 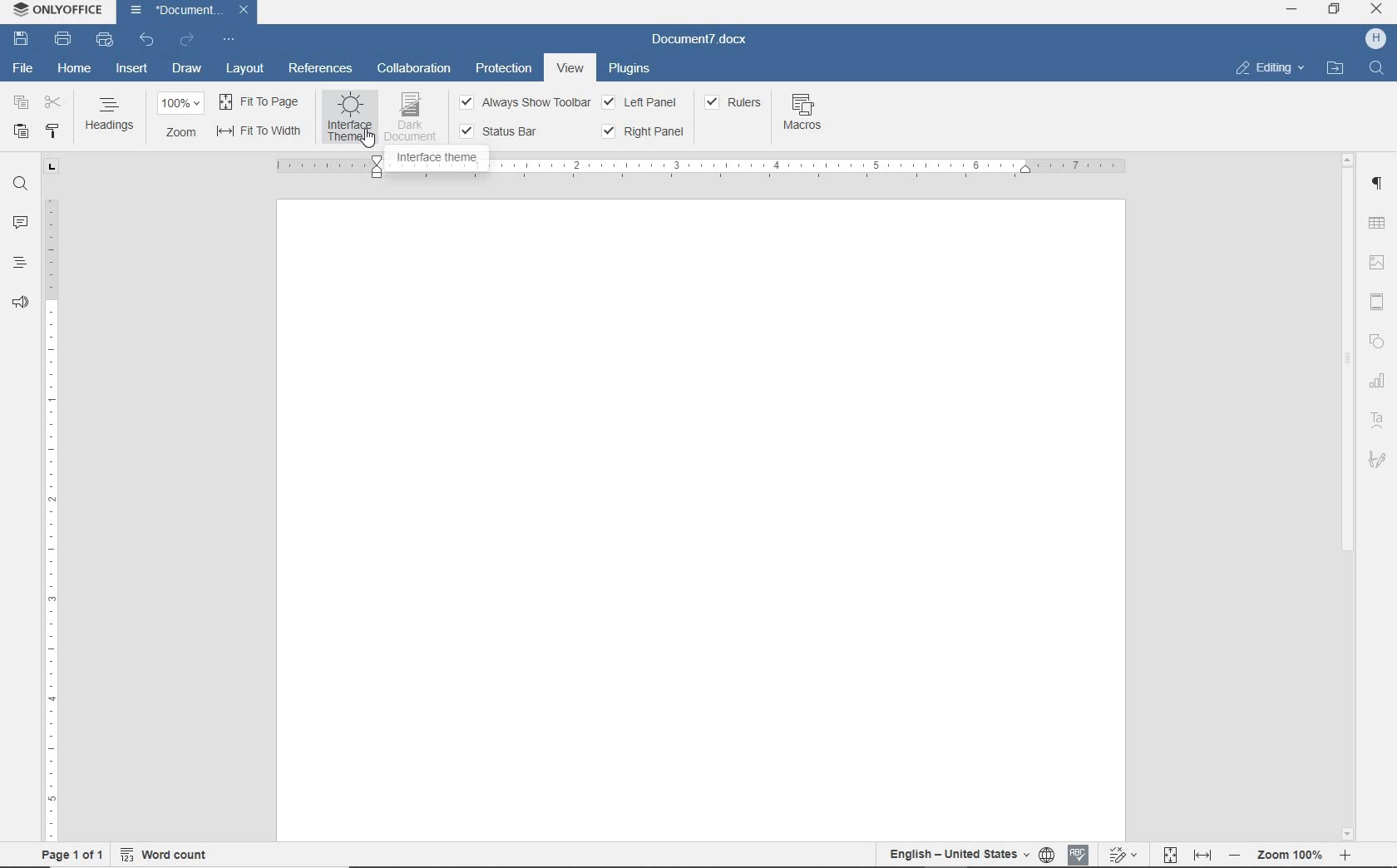 I want to click on VIEW, so click(x=571, y=68).